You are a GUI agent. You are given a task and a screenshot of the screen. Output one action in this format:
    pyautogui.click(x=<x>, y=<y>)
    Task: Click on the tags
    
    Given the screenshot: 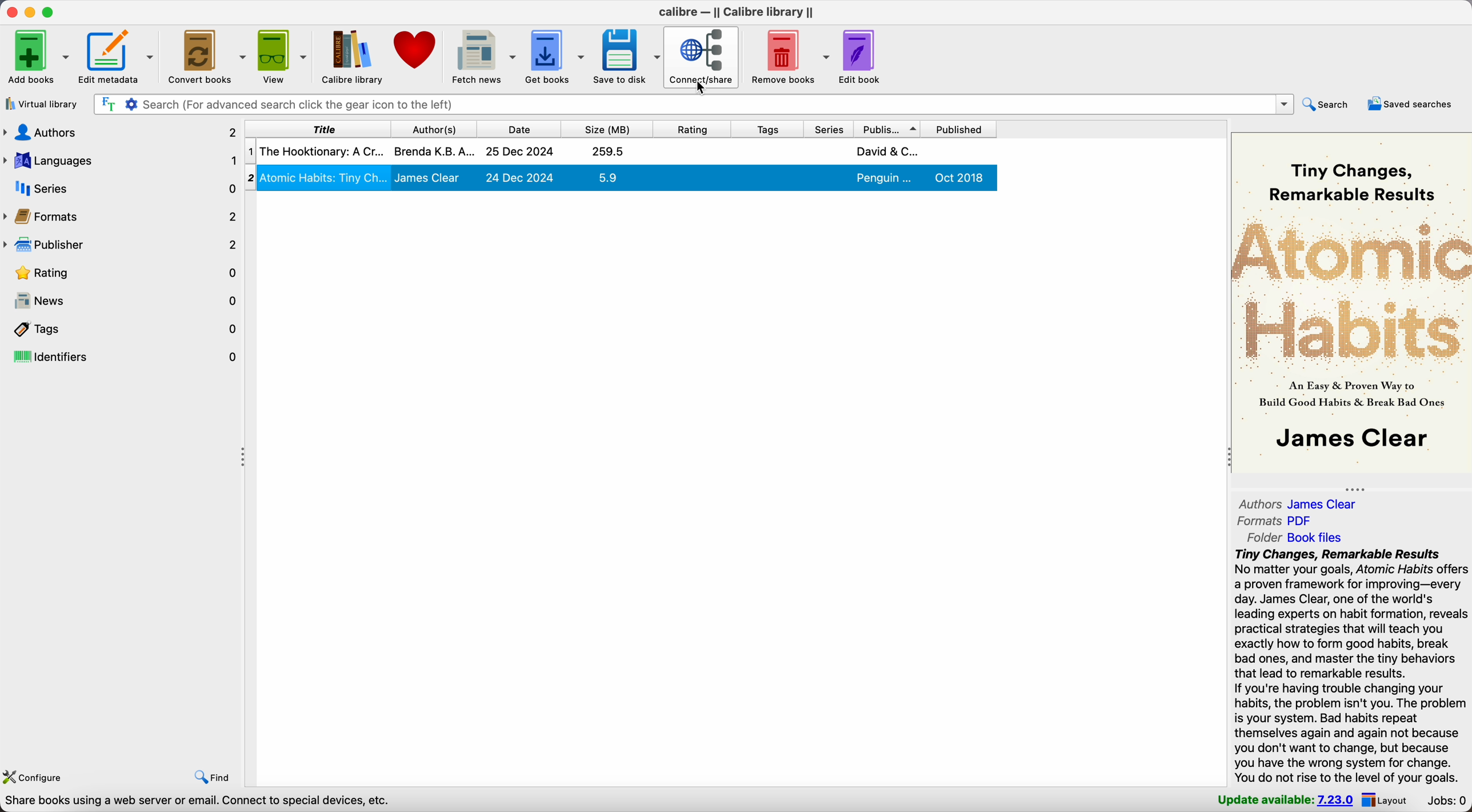 What is the action you would take?
    pyautogui.click(x=765, y=128)
    